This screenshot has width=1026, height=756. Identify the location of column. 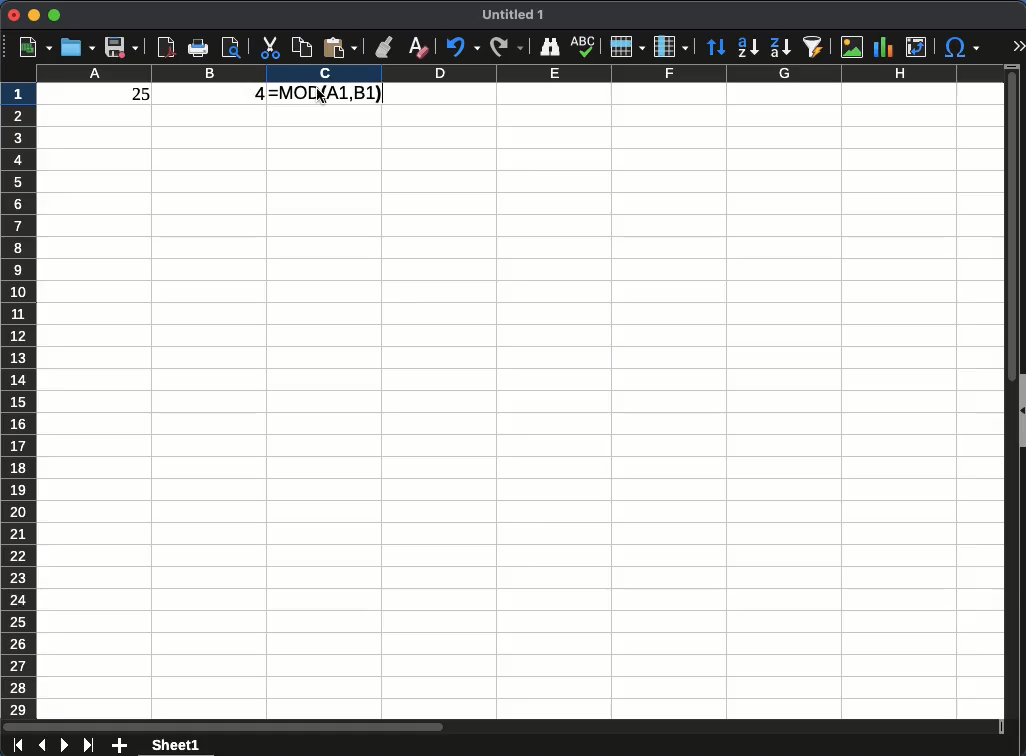
(671, 45).